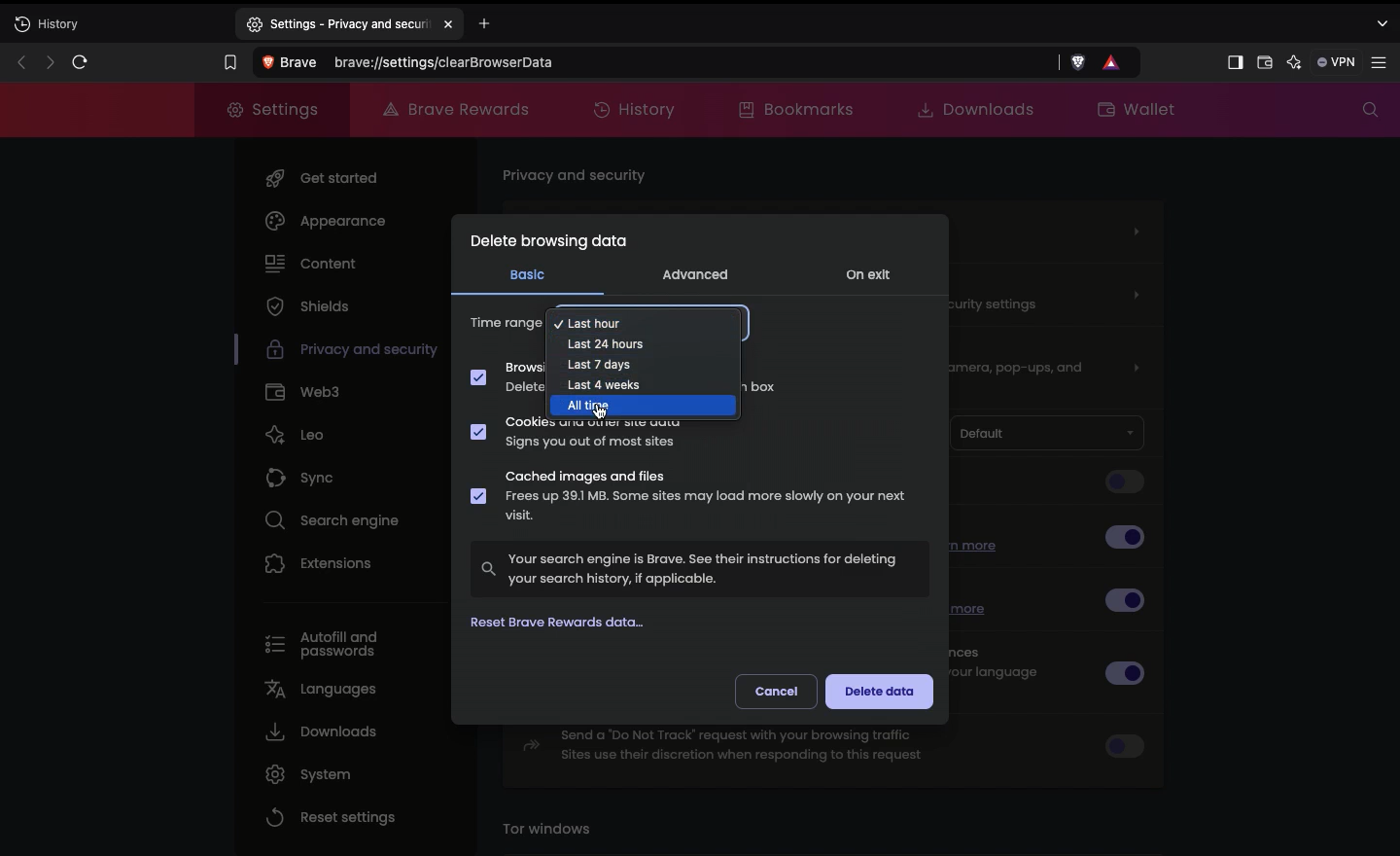 The image size is (1400, 856). What do you see at coordinates (1382, 62) in the screenshot?
I see `Settings` at bounding box center [1382, 62].